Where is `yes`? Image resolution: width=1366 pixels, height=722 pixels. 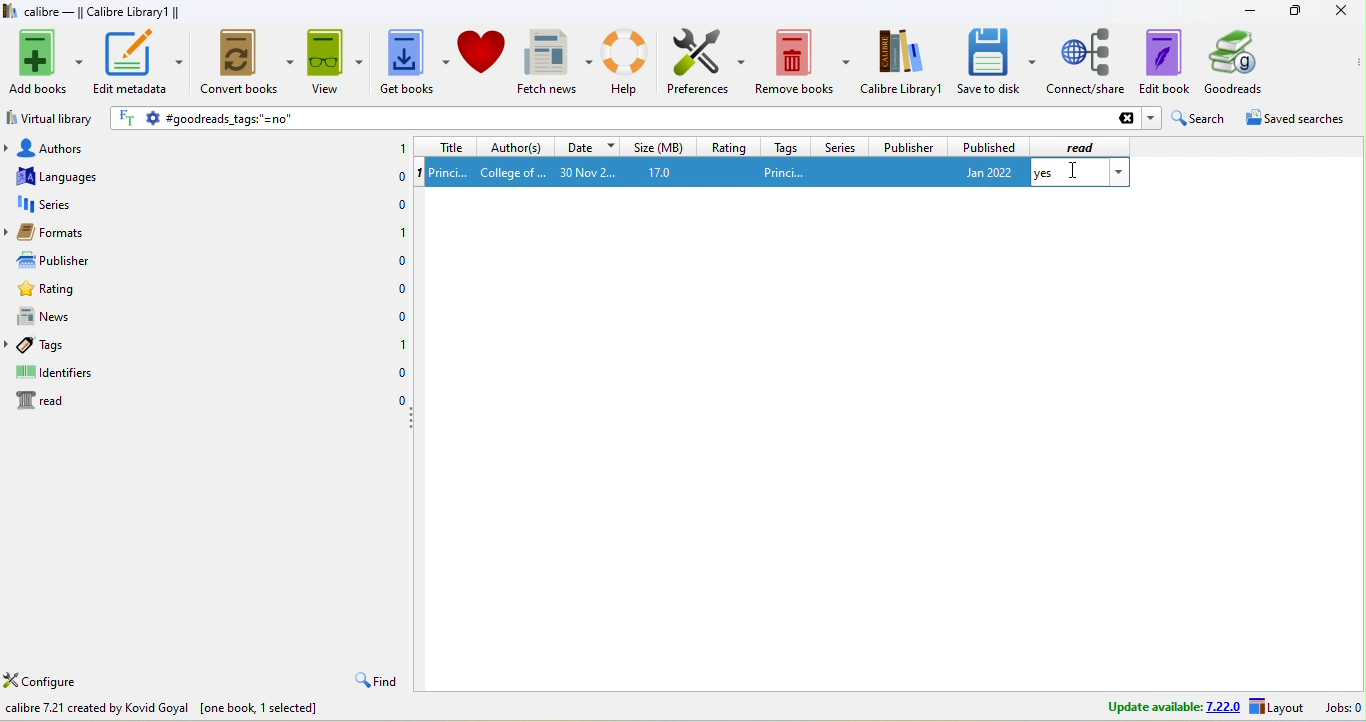
yes is located at coordinates (1042, 173).